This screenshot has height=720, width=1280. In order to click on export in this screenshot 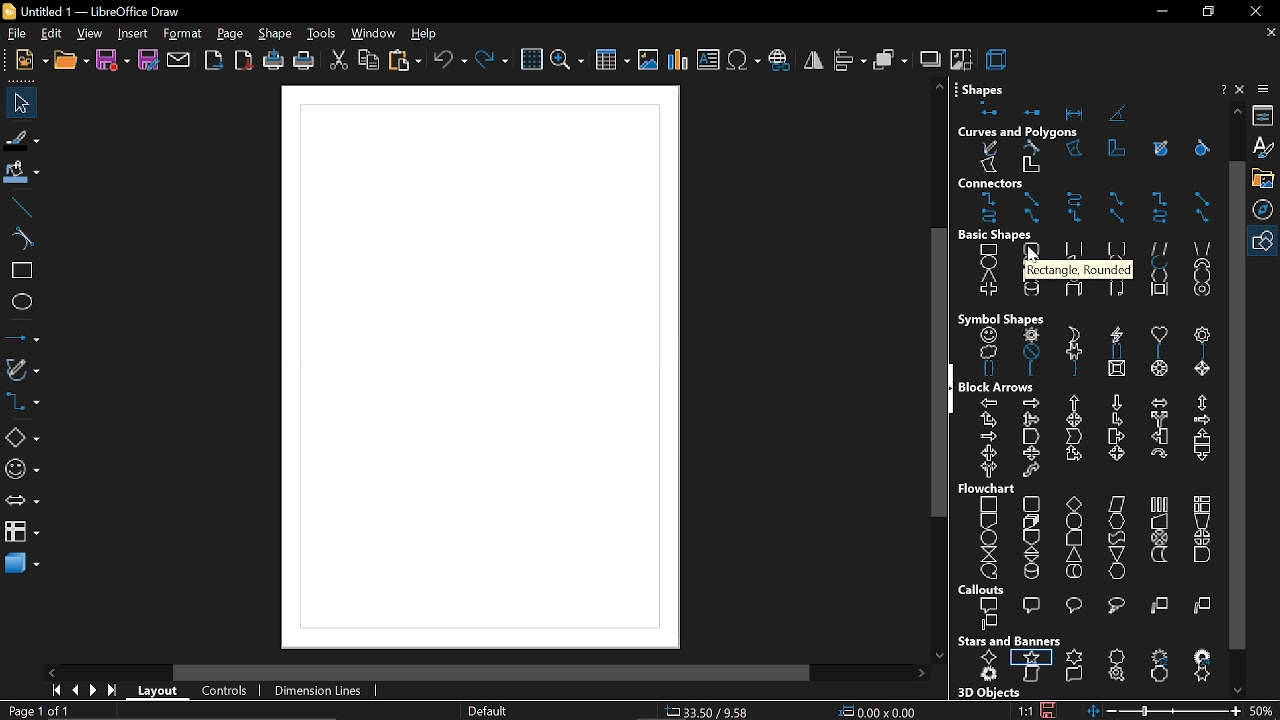, I will do `click(215, 62)`.